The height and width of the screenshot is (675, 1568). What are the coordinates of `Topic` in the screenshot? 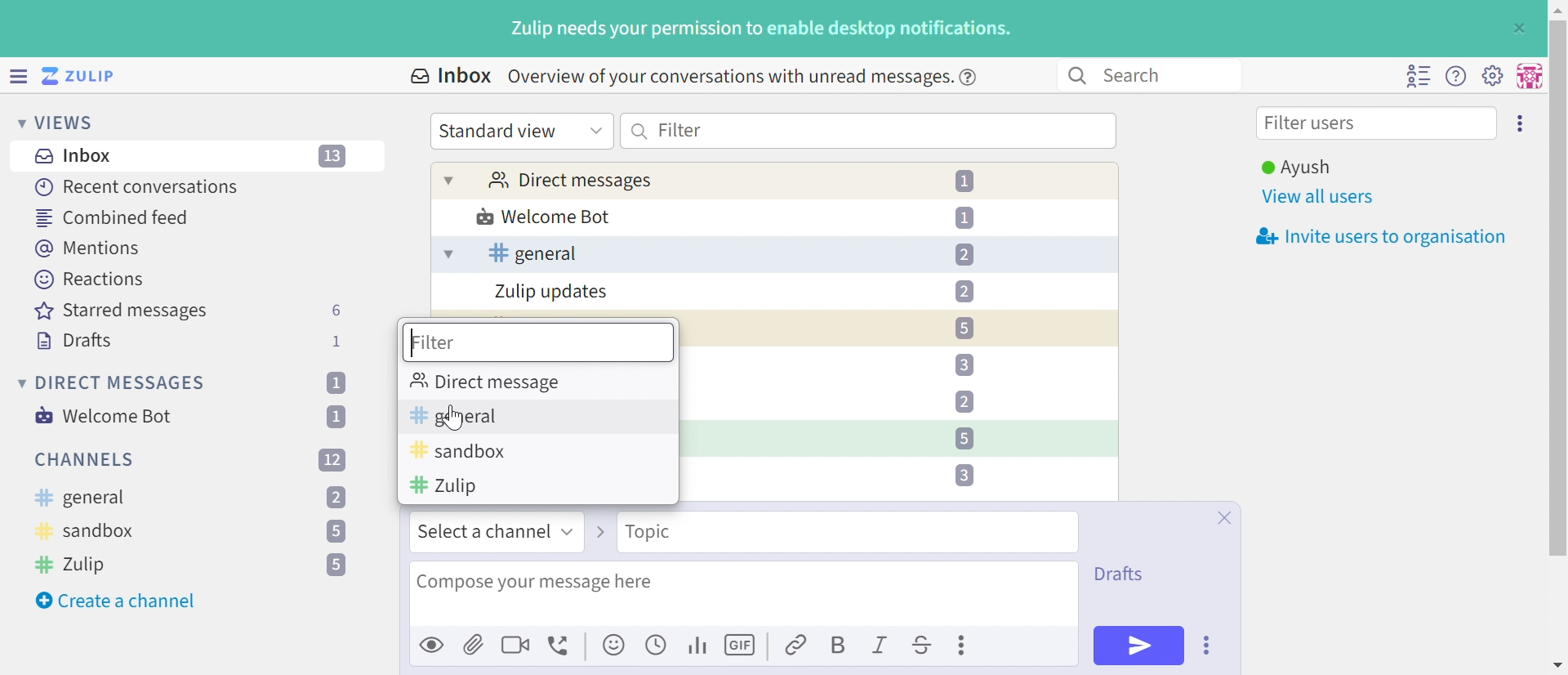 It's located at (648, 531).